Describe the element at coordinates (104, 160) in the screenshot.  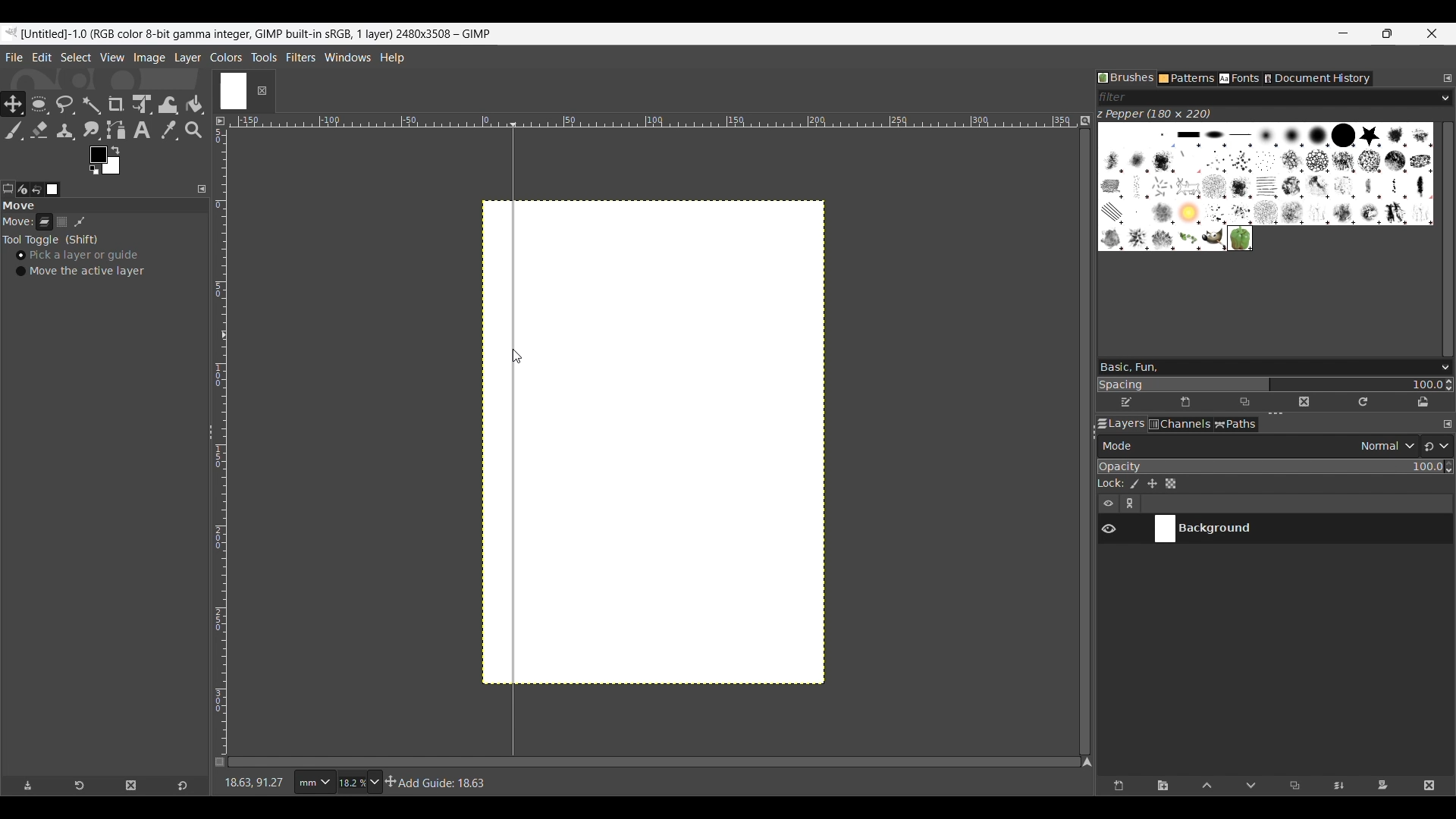
I see `Foreground color` at that location.